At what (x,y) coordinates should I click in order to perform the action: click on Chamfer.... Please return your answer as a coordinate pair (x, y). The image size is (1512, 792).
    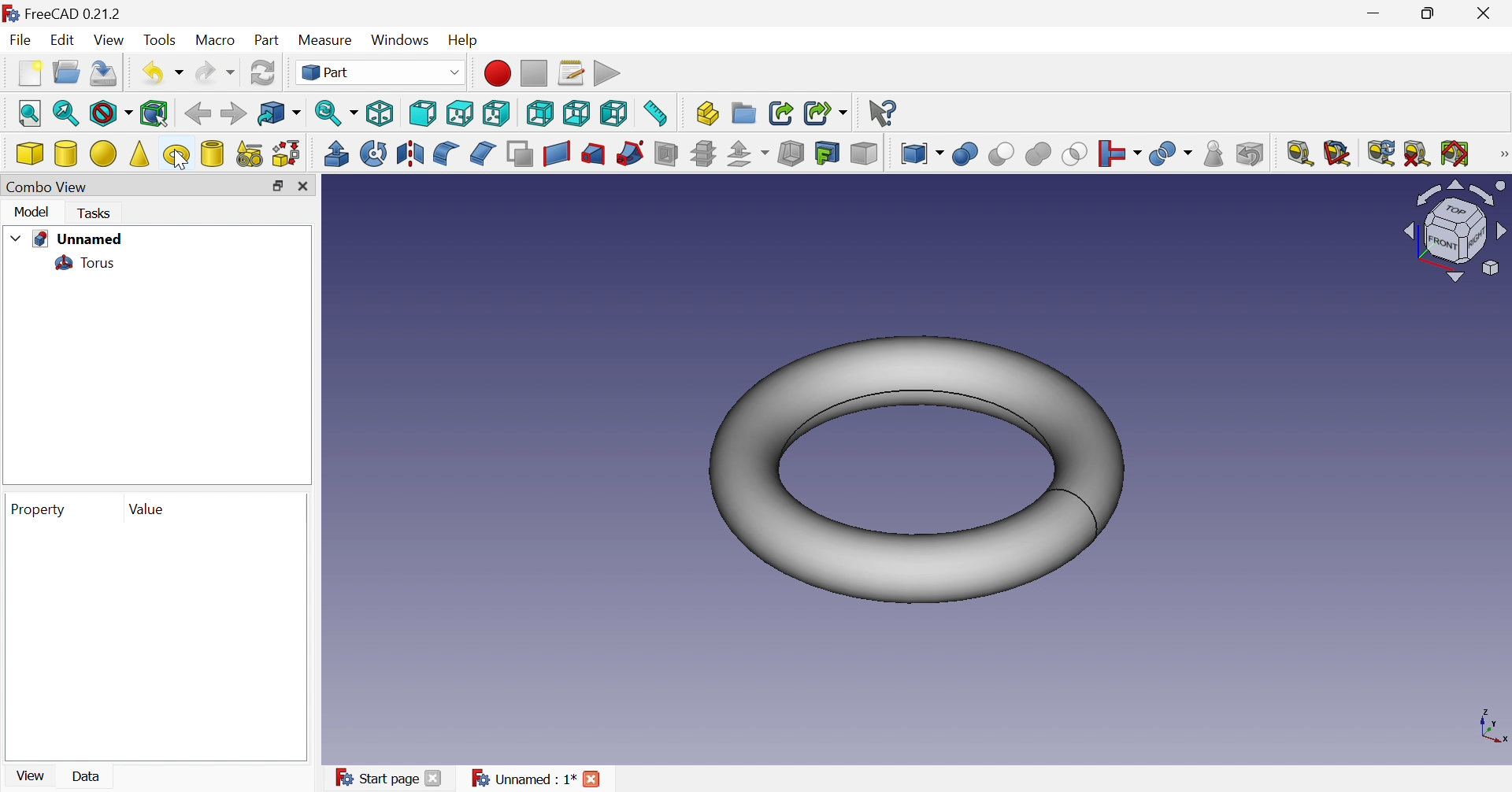
    Looking at the image, I should click on (483, 154).